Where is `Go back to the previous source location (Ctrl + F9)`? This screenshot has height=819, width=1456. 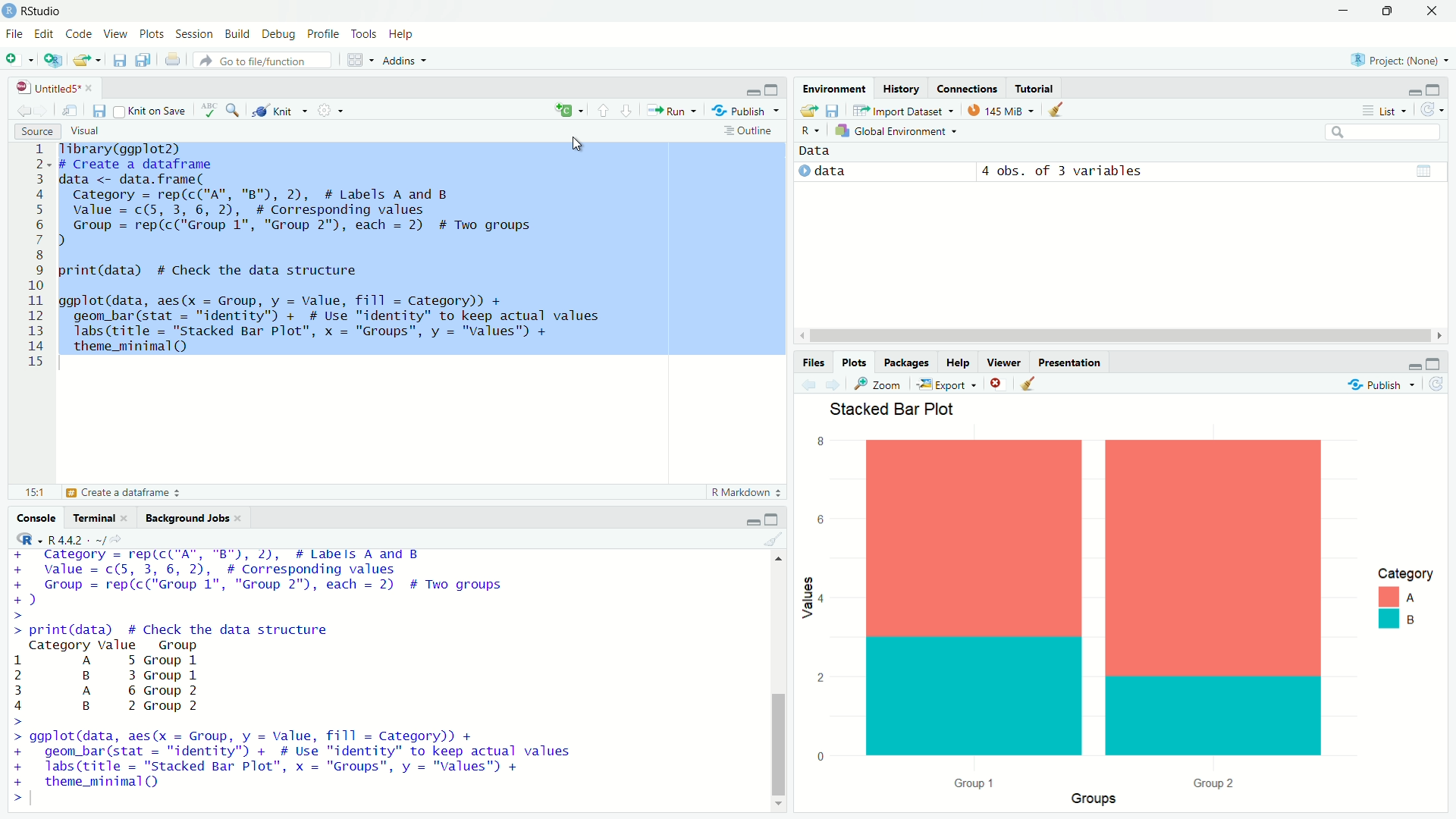 Go back to the previous source location (Ctrl + F9) is located at coordinates (19, 108).